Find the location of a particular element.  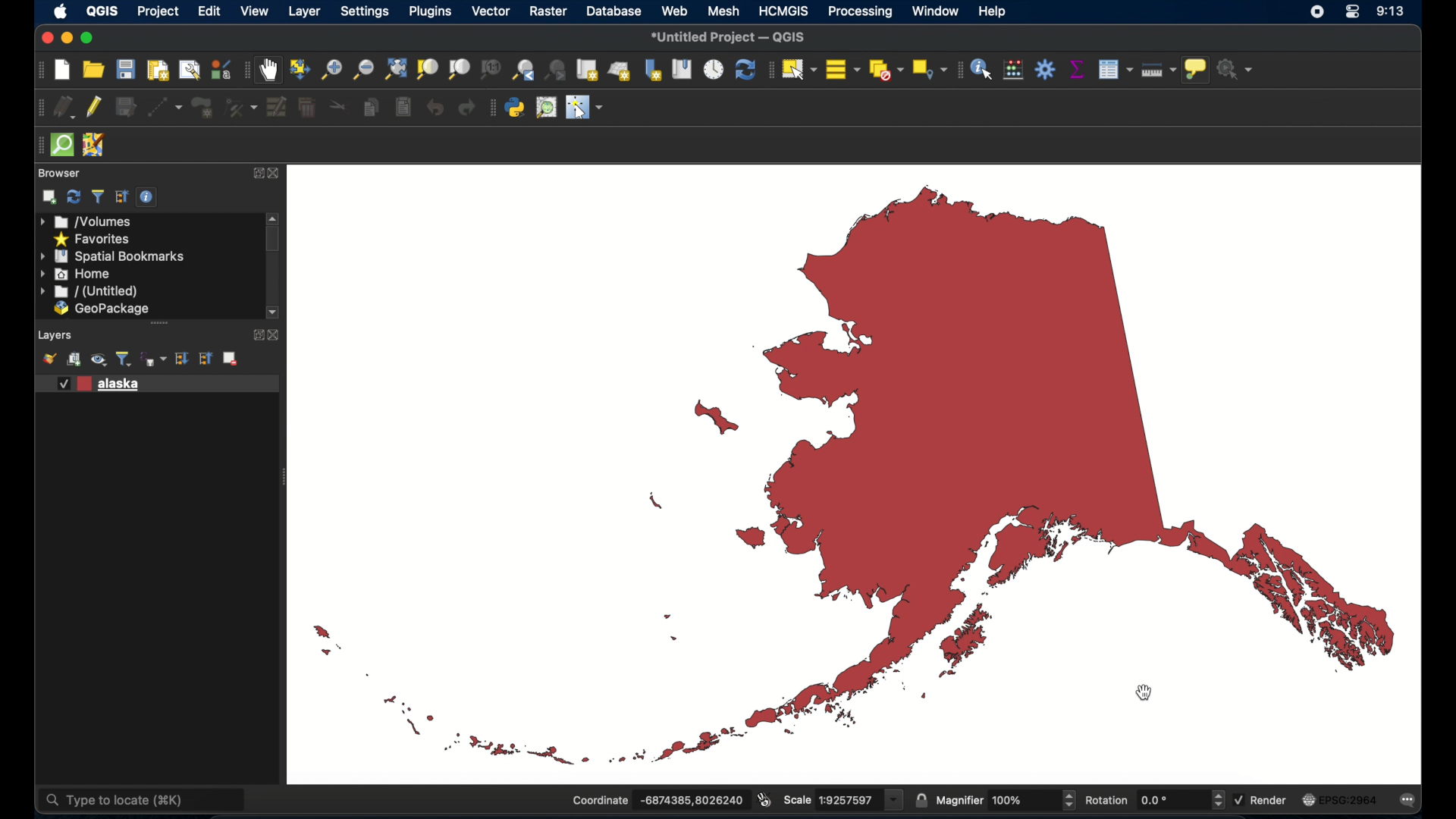

drag handle is located at coordinates (36, 145).